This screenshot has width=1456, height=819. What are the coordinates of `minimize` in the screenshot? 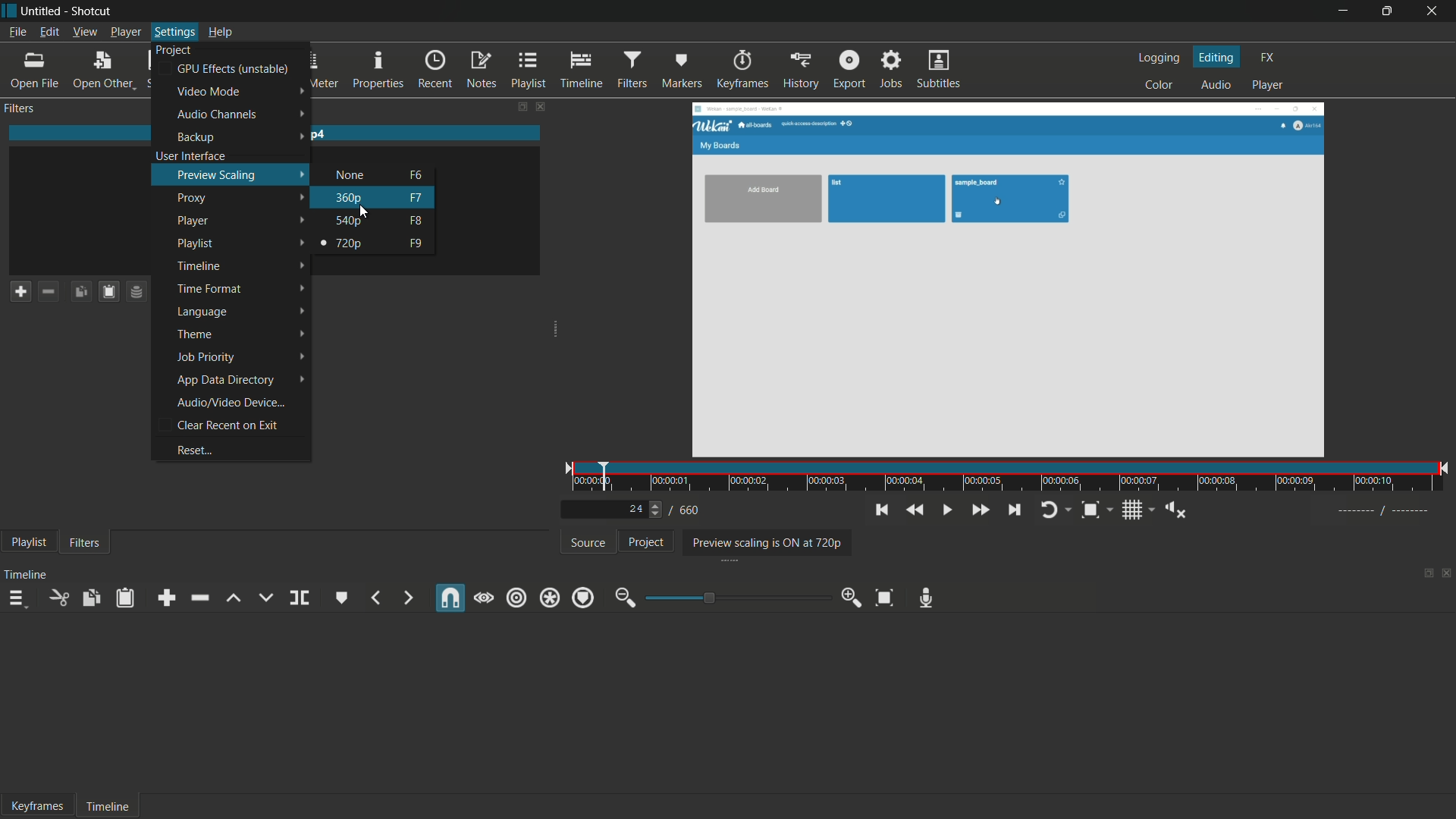 It's located at (1343, 11).